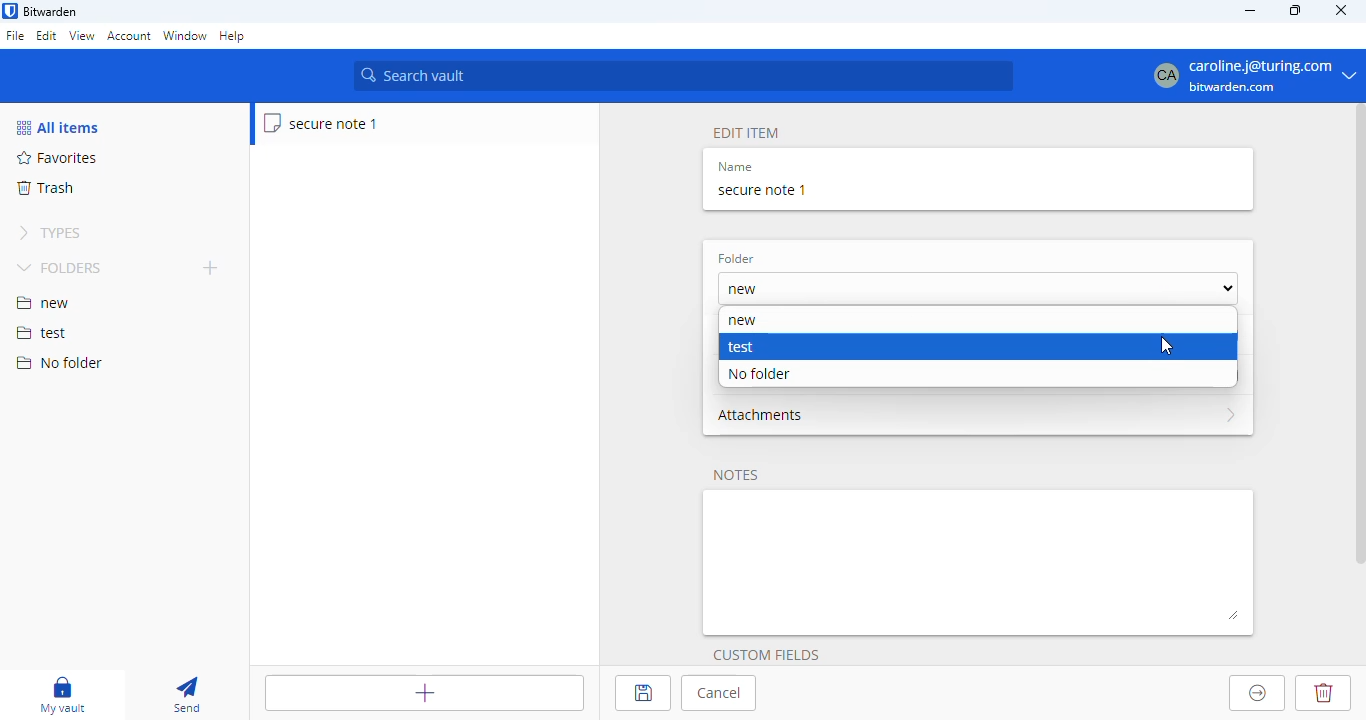 The image size is (1366, 720). I want to click on no folder, so click(758, 374).